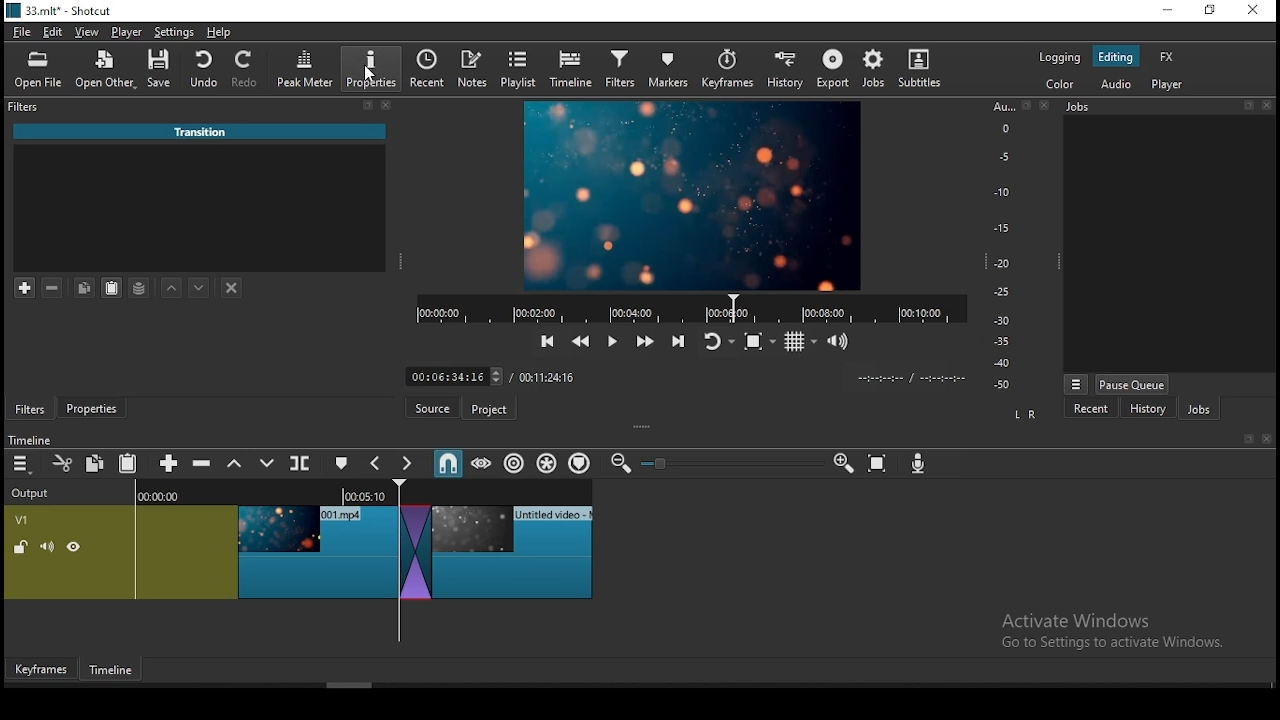 This screenshot has height=720, width=1280. What do you see at coordinates (675, 341) in the screenshot?
I see `skip to next point` at bounding box center [675, 341].